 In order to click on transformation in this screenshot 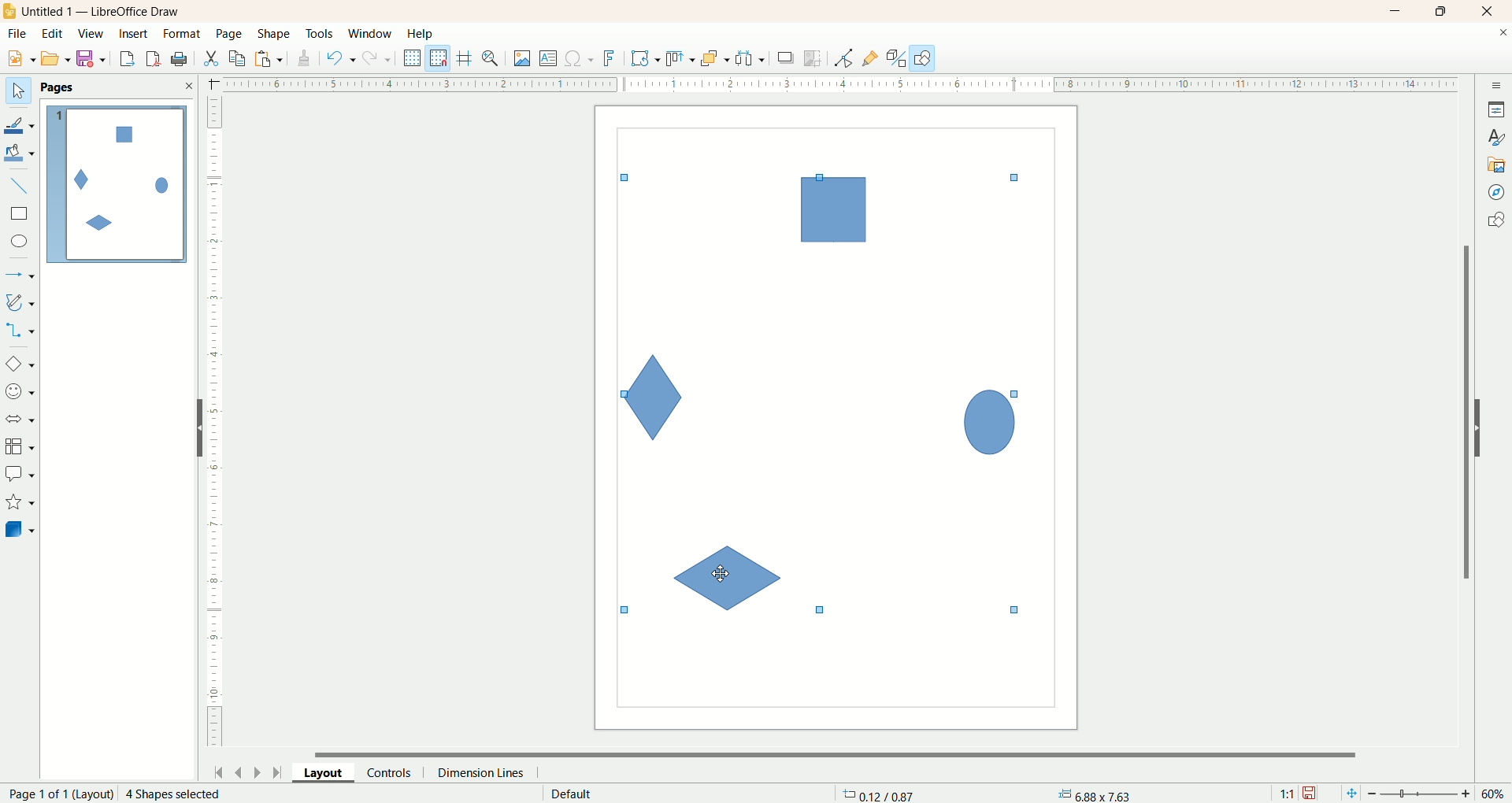, I will do `click(646, 59)`.